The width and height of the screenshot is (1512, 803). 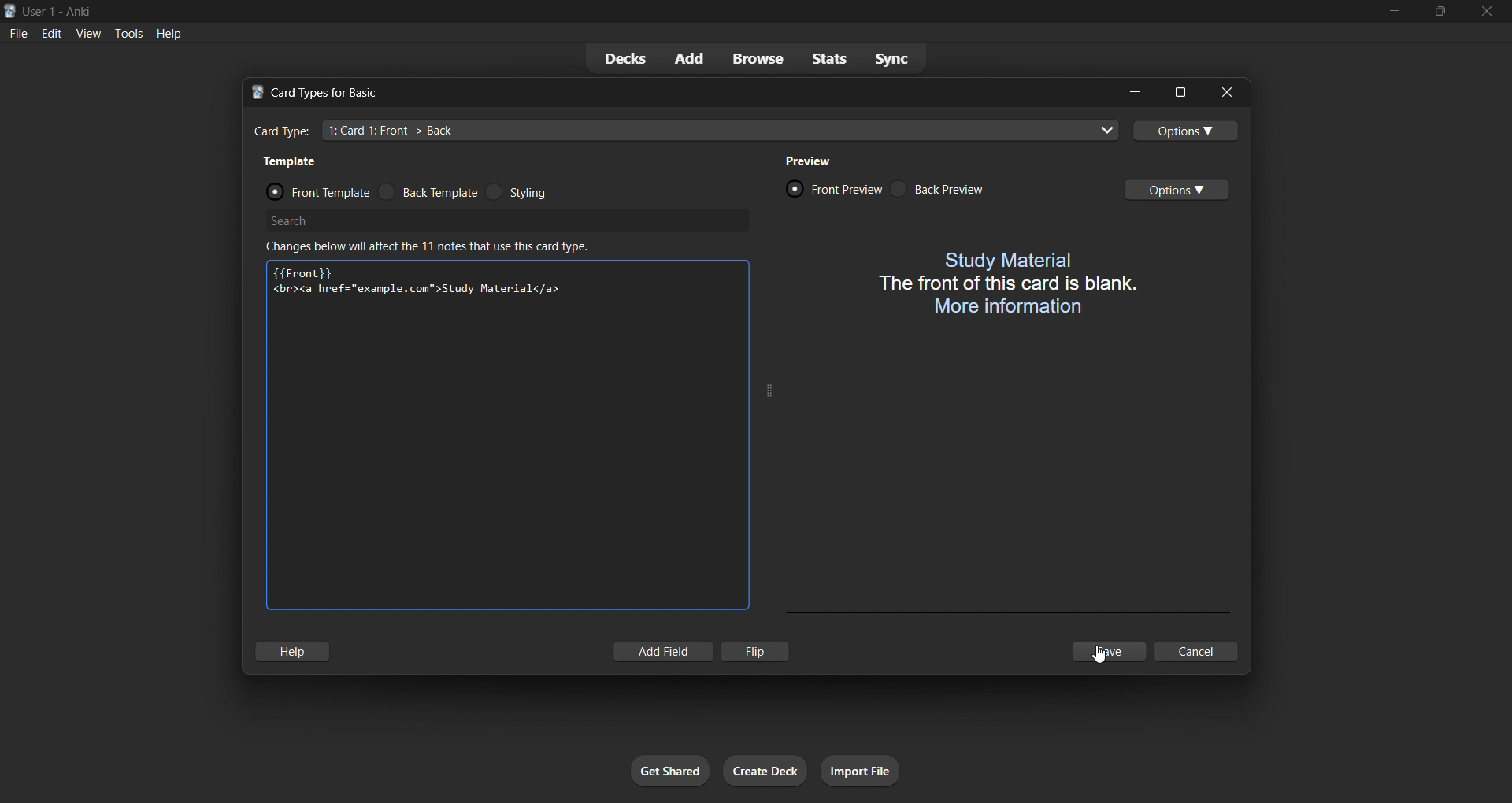 What do you see at coordinates (1184, 189) in the screenshot?
I see `options toggle` at bounding box center [1184, 189].